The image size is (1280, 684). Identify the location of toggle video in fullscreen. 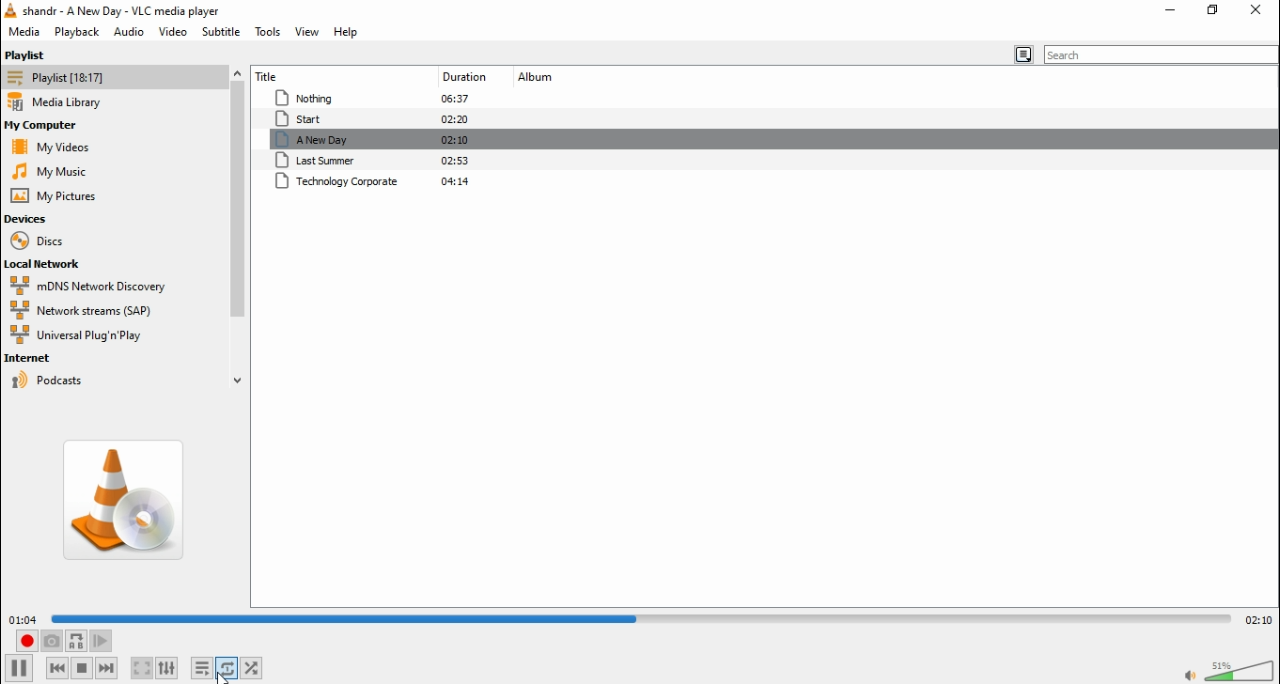
(140, 666).